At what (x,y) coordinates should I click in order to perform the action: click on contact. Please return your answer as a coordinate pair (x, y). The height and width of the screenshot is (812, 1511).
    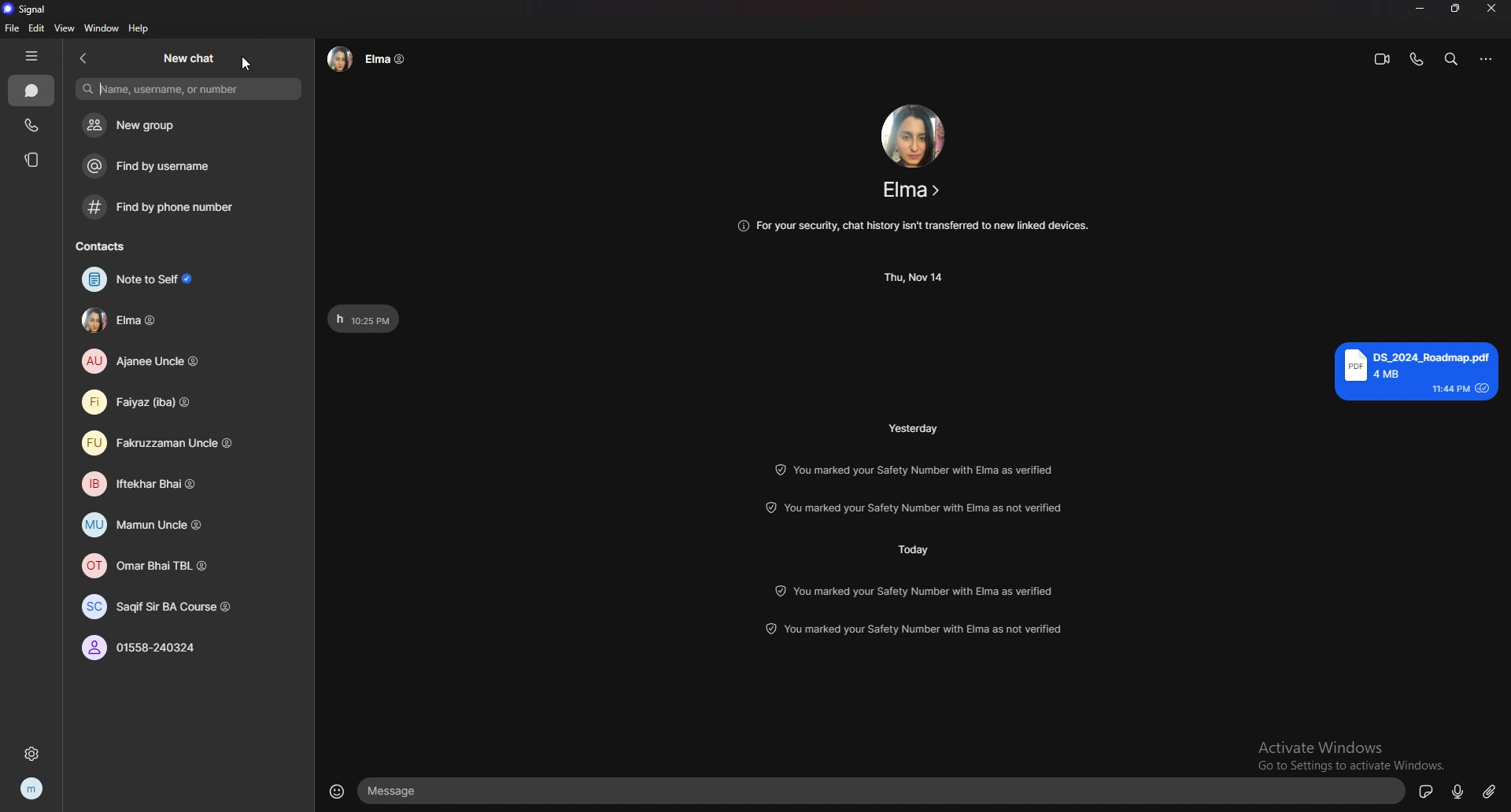
    Looking at the image, I should click on (149, 526).